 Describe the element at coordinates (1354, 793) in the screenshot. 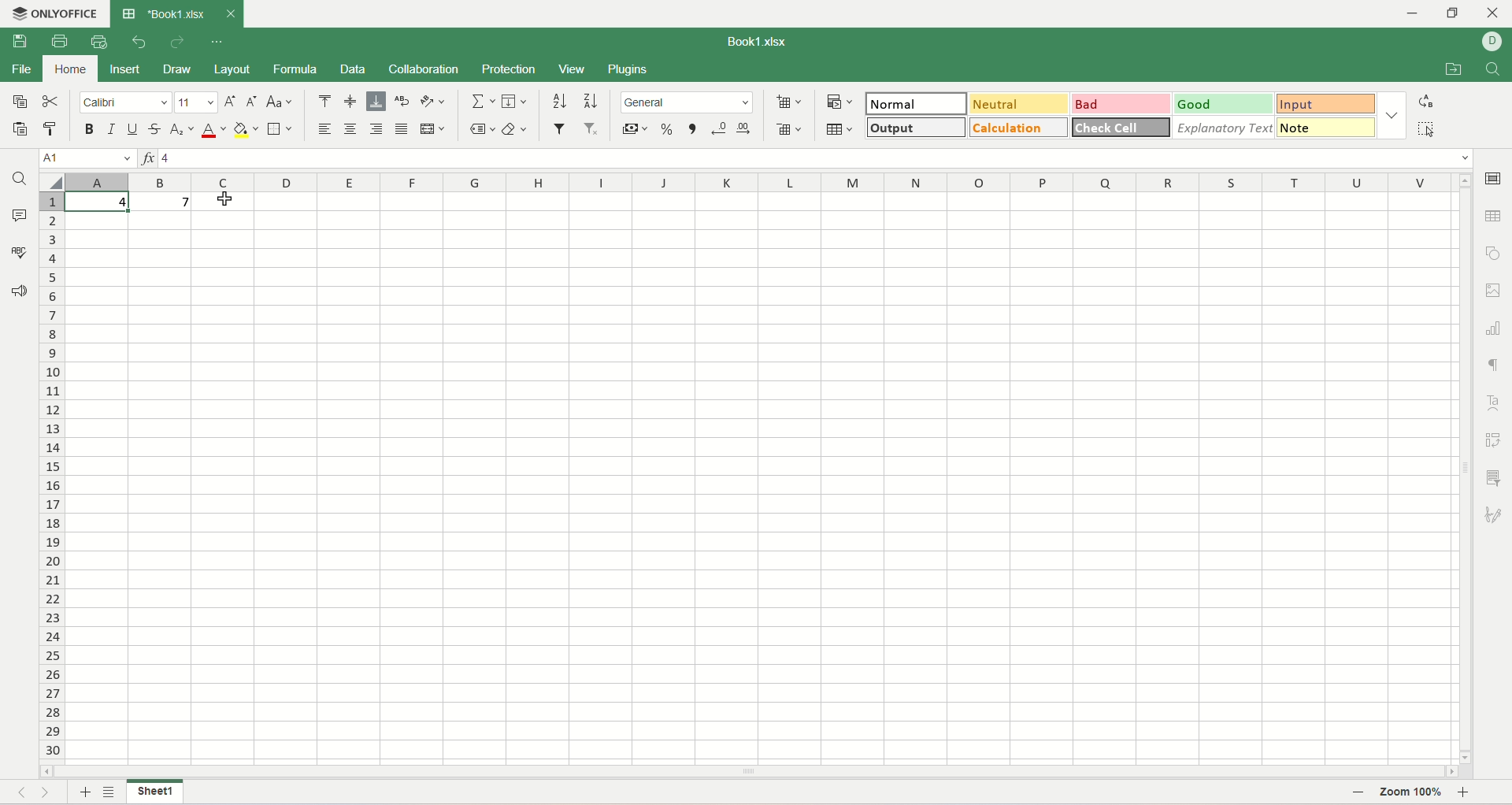

I see `zoom out` at that location.